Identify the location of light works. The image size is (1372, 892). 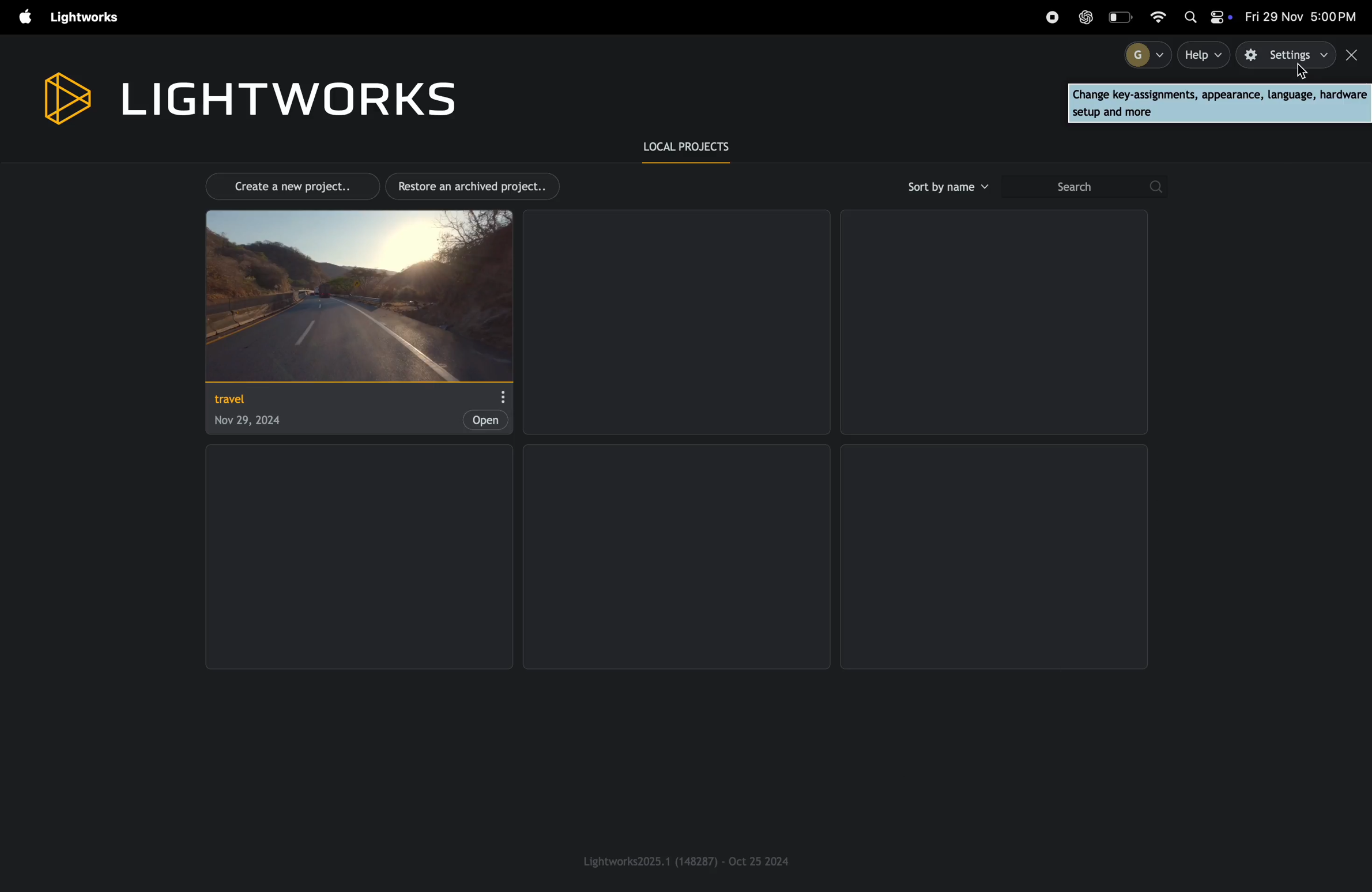
(247, 96).